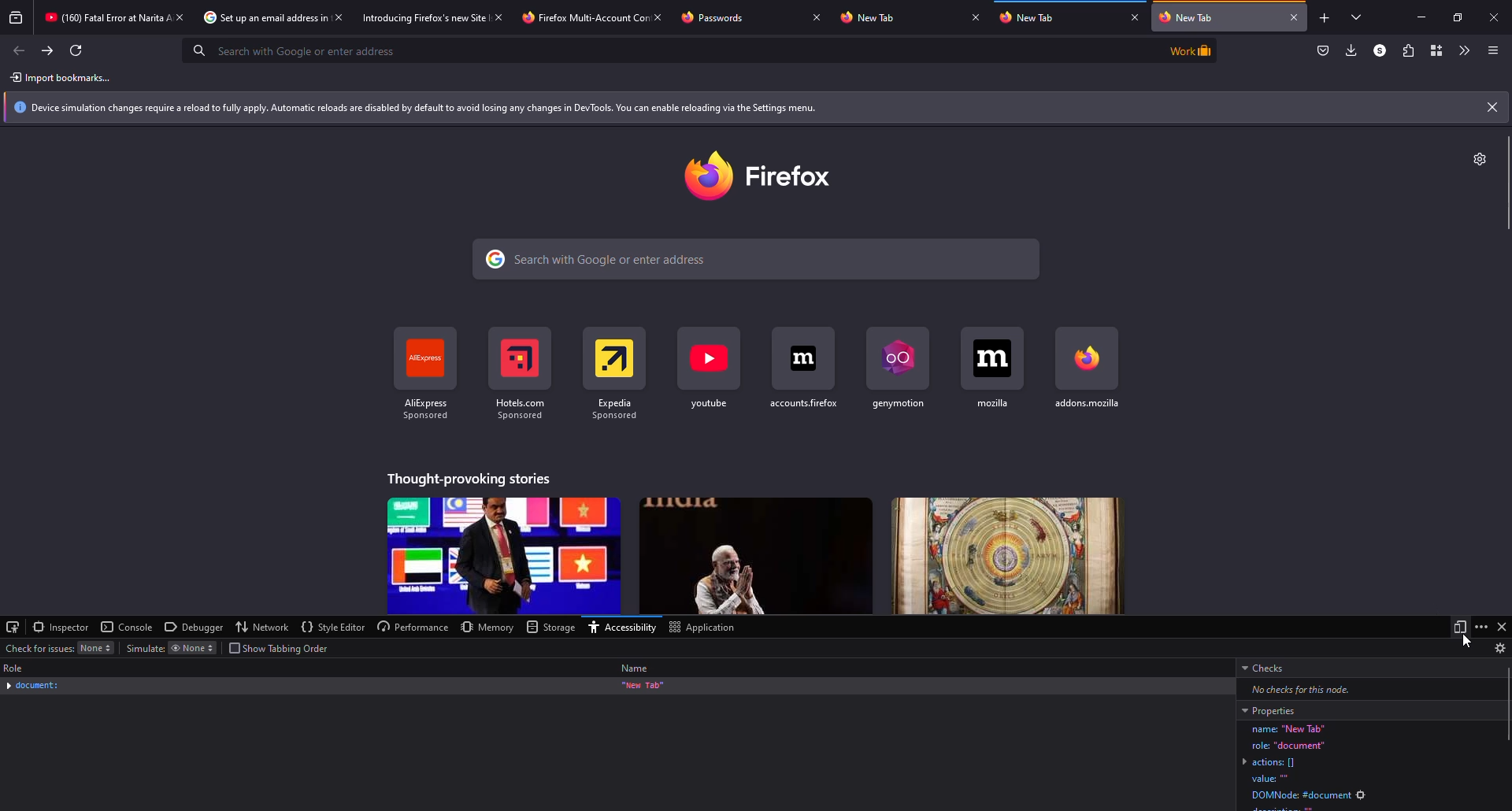 Image resolution: width=1512 pixels, height=811 pixels. Describe the element at coordinates (1372, 766) in the screenshot. I see `code` at that location.